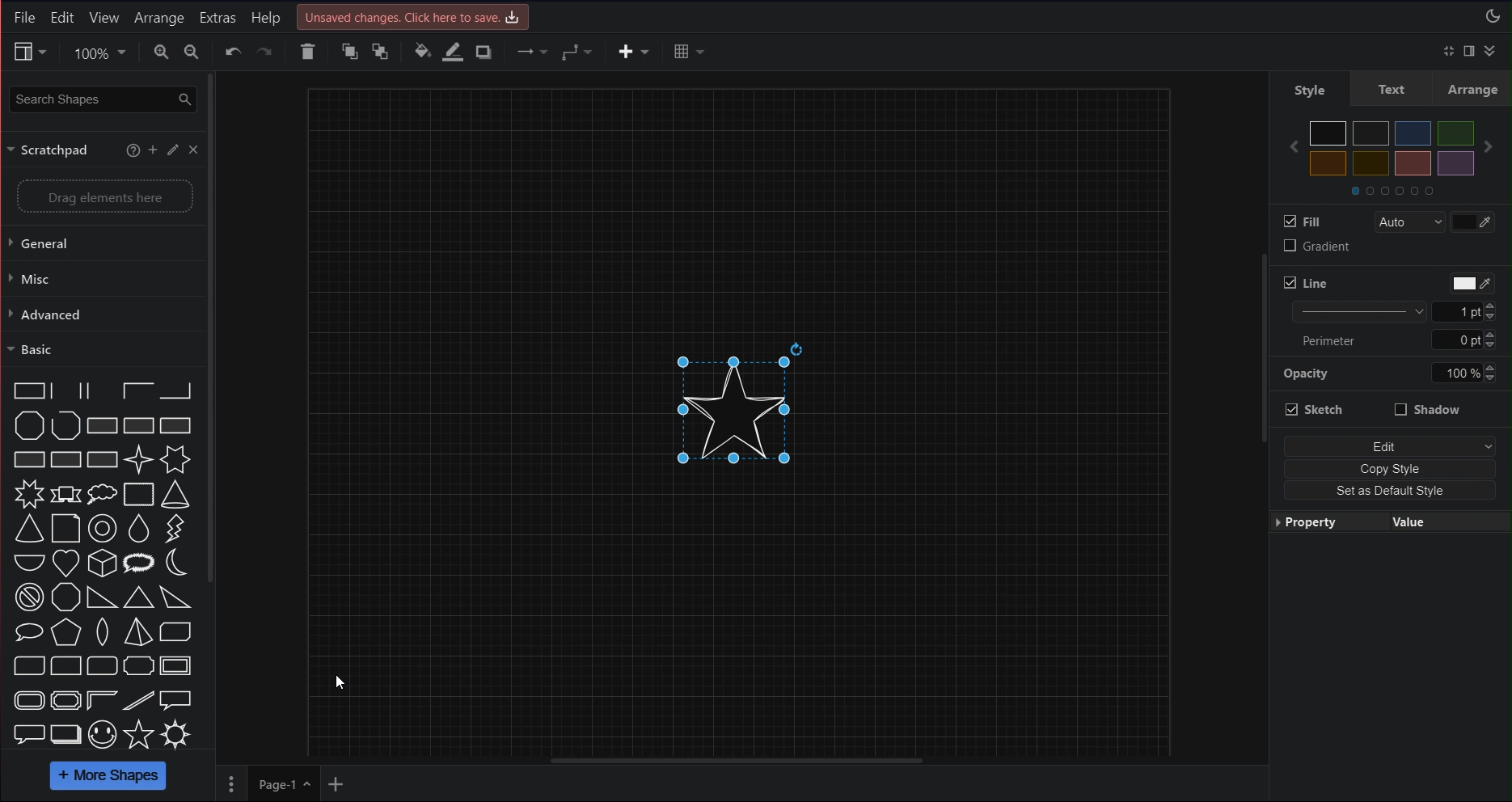 The width and height of the screenshot is (1512, 802). Describe the element at coordinates (1286, 222) in the screenshot. I see `Fill Color` at that location.